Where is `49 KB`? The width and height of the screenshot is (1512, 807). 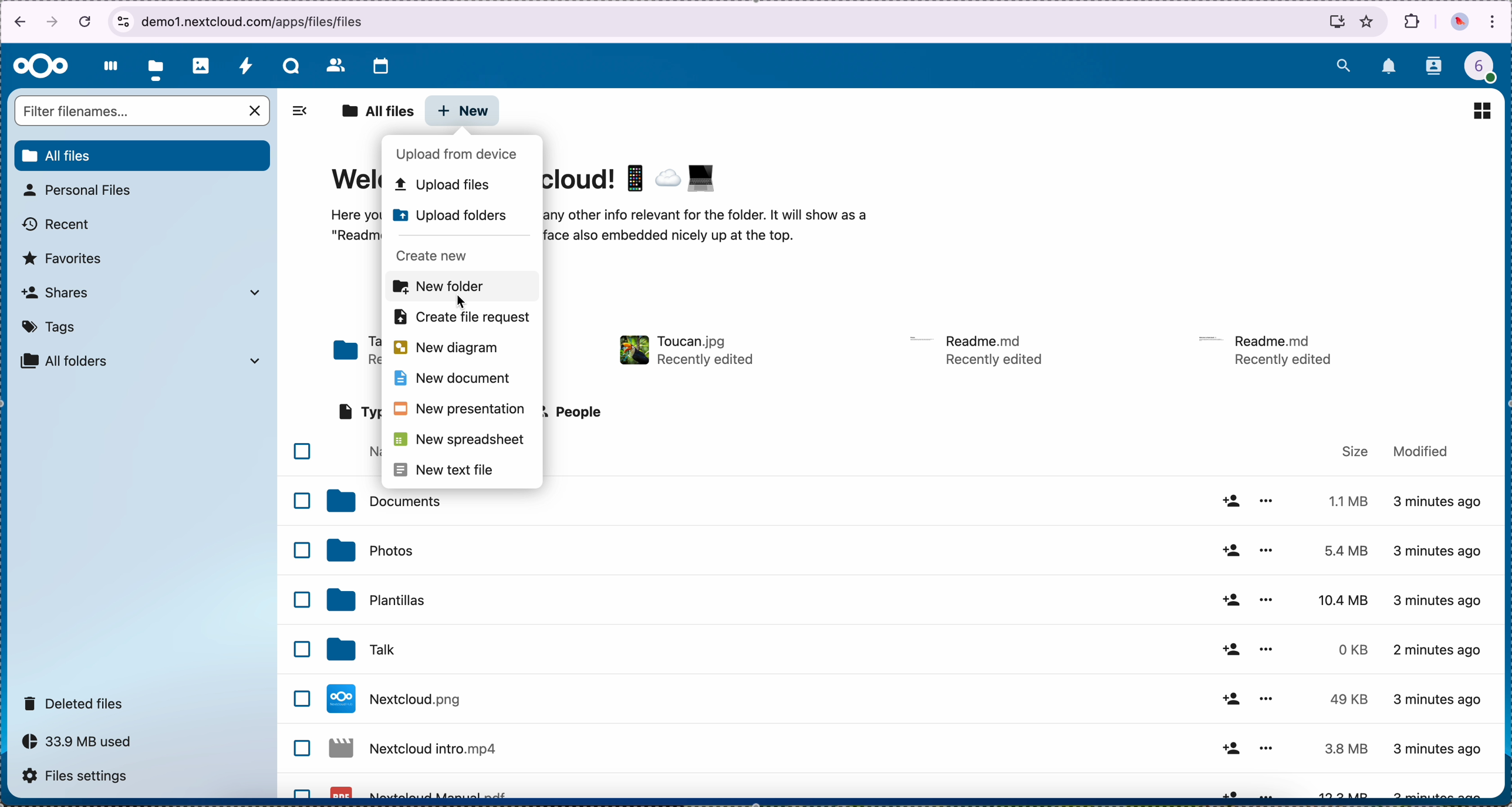
49 KB is located at coordinates (1348, 699).